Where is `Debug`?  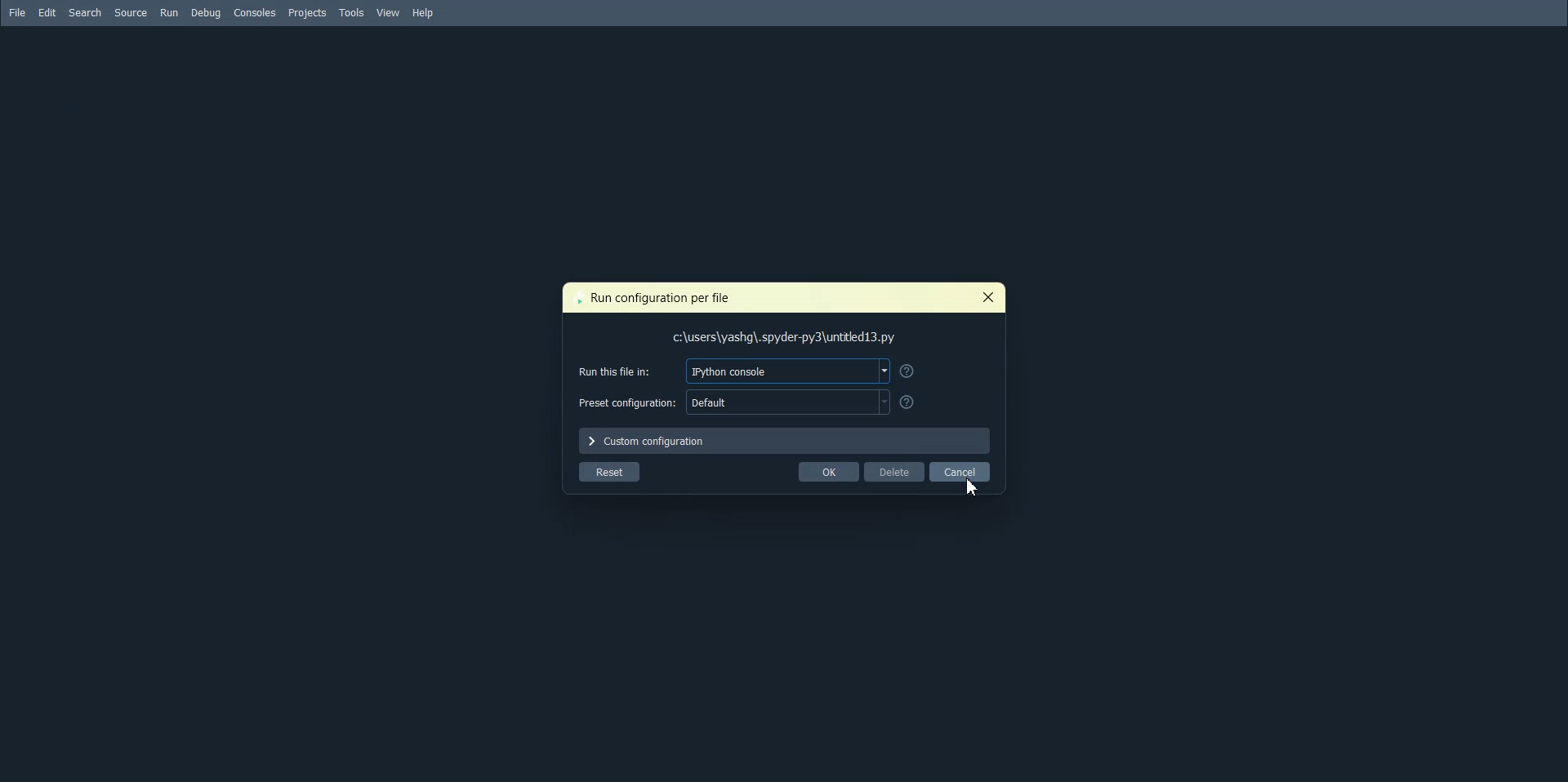 Debug is located at coordinates (206, 12).